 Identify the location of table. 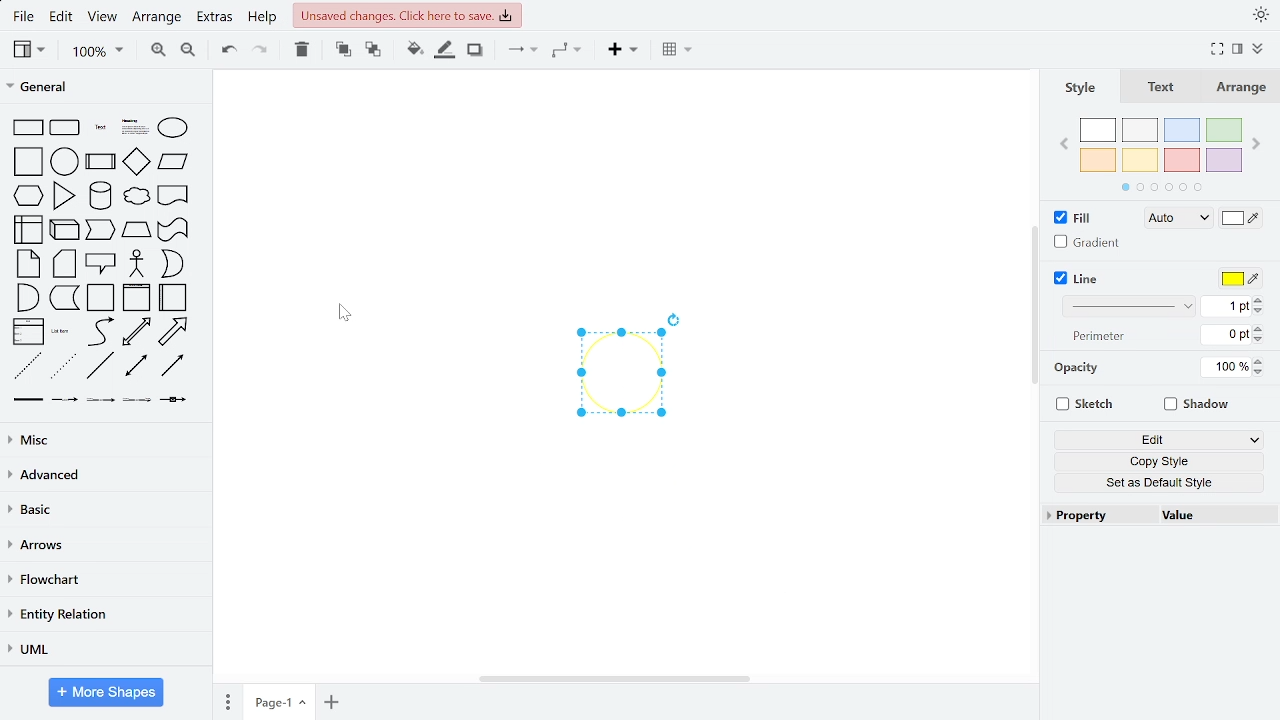
(678, 51).